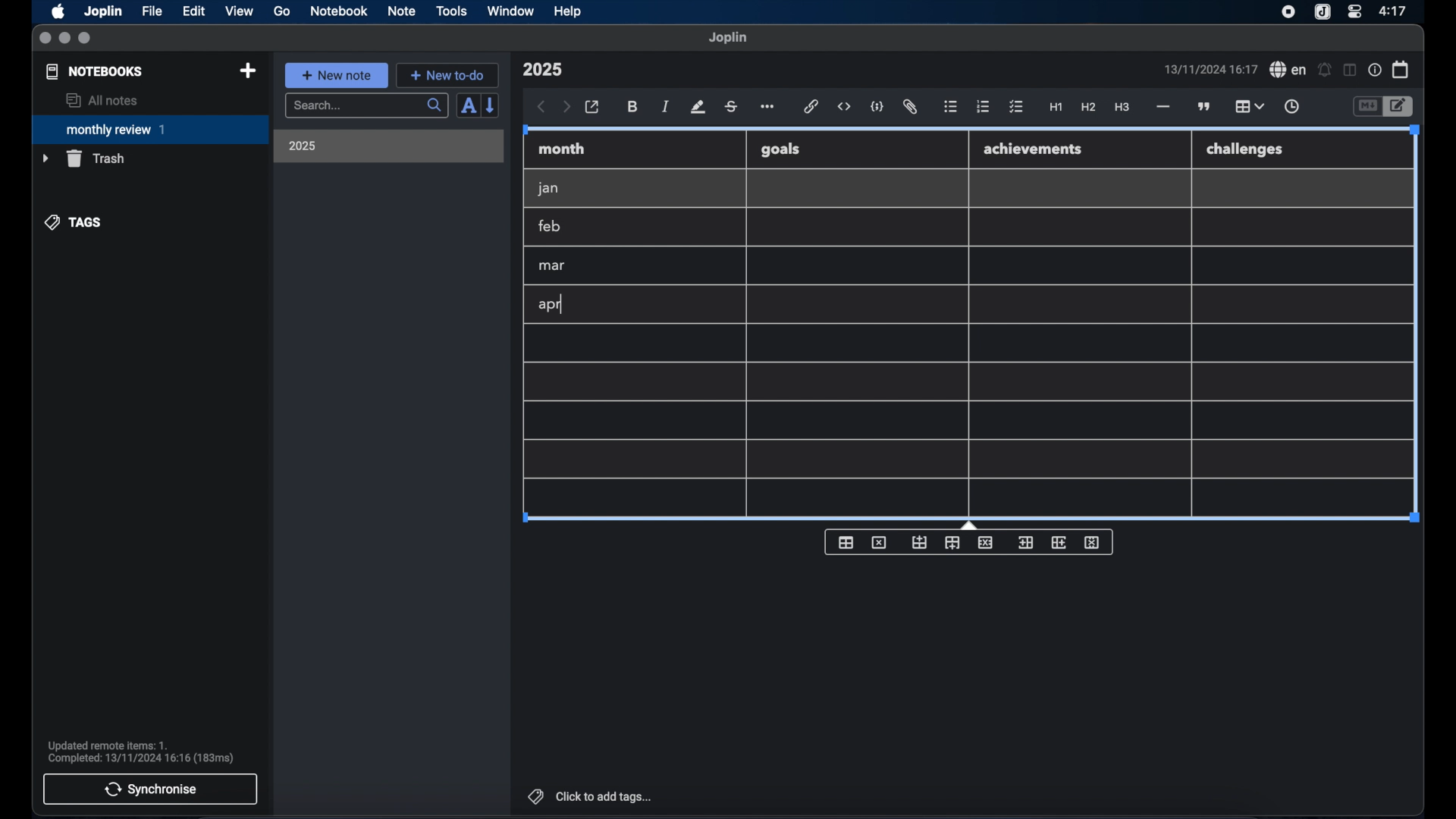 The image size is (1456, 819). I want to click on achievements, so click(1034, 149).